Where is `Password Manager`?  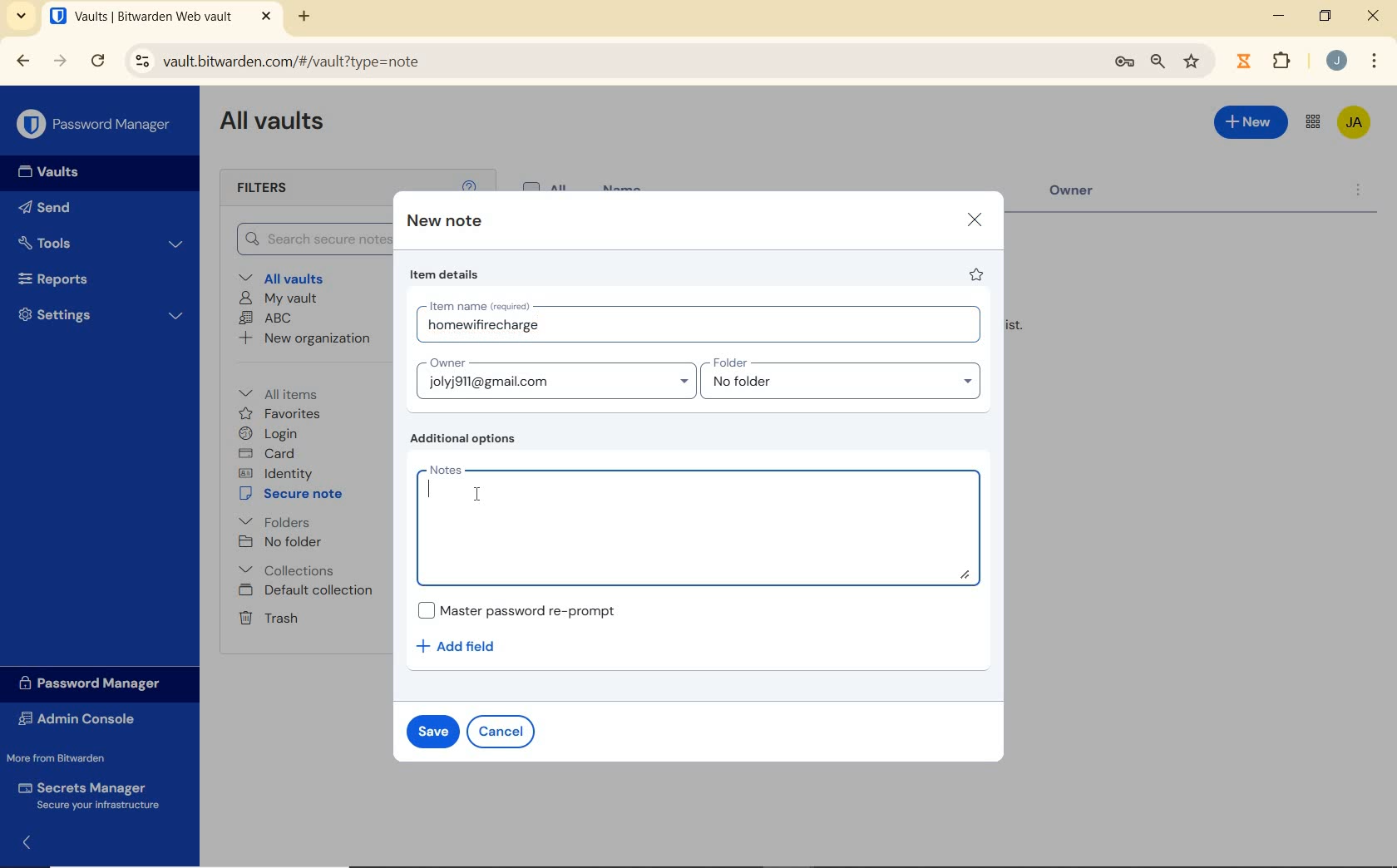 Password Manager is located at coordinates (95, 125).